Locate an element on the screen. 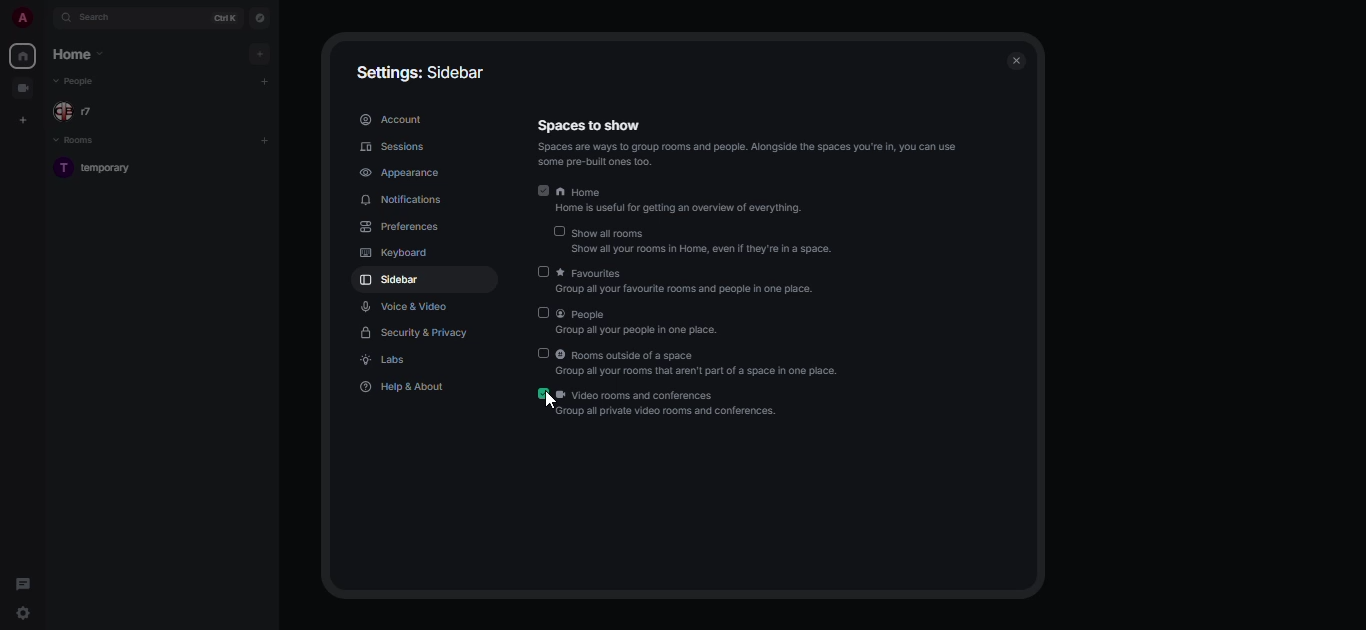 The image size is (1366, 630). disabled is located at coordinates (558, 232).